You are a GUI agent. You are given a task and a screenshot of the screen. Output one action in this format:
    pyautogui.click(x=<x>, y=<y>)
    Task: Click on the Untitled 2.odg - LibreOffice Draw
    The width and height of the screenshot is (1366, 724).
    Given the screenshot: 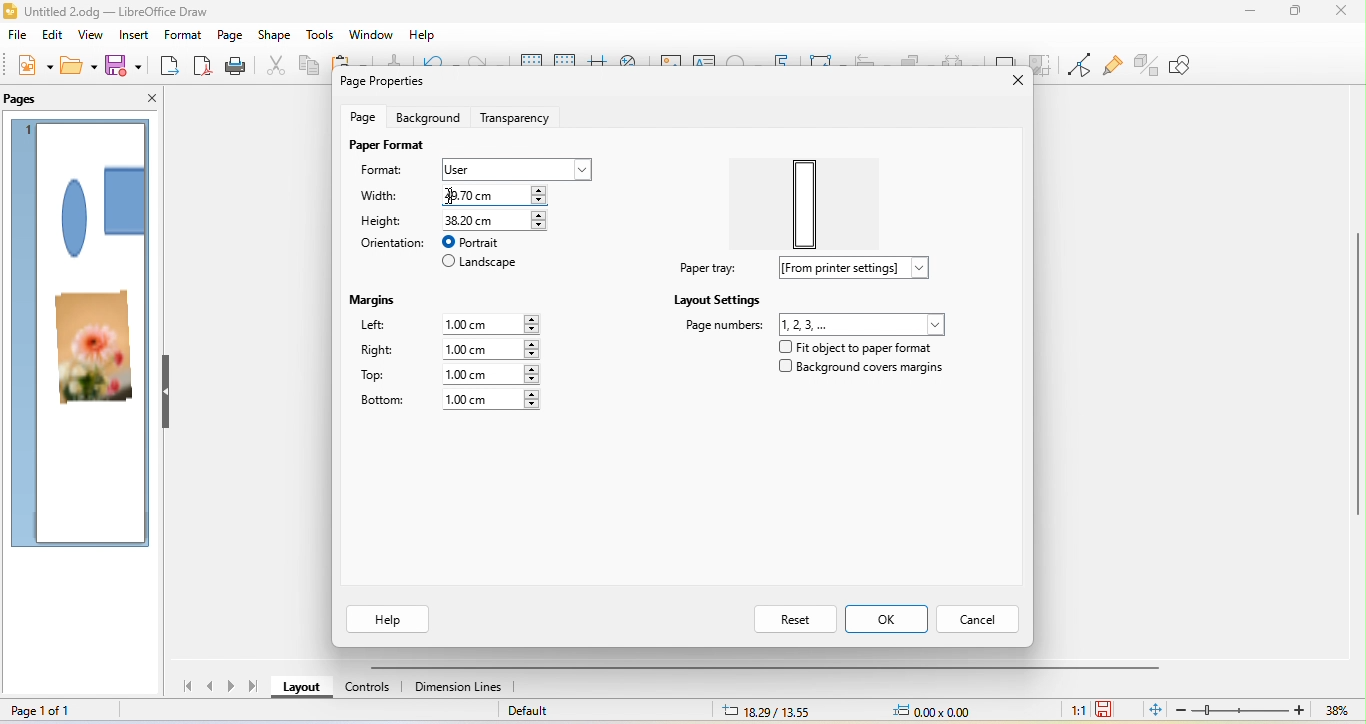 What is the action you would take?
    pyautogui.click(x=119, y=11)
    